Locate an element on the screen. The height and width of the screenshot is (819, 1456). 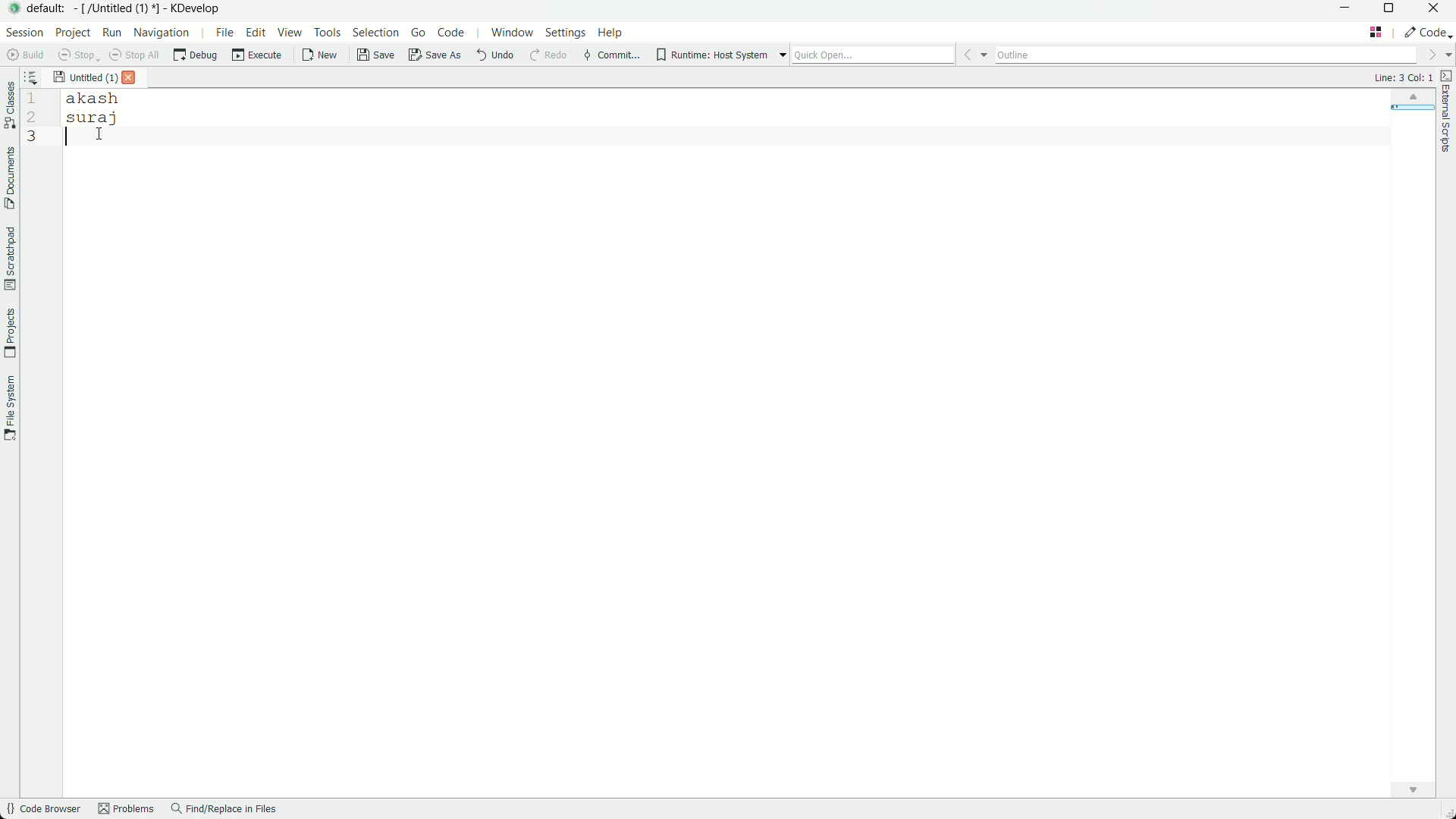
go menu is located at coordinates (417, 33).